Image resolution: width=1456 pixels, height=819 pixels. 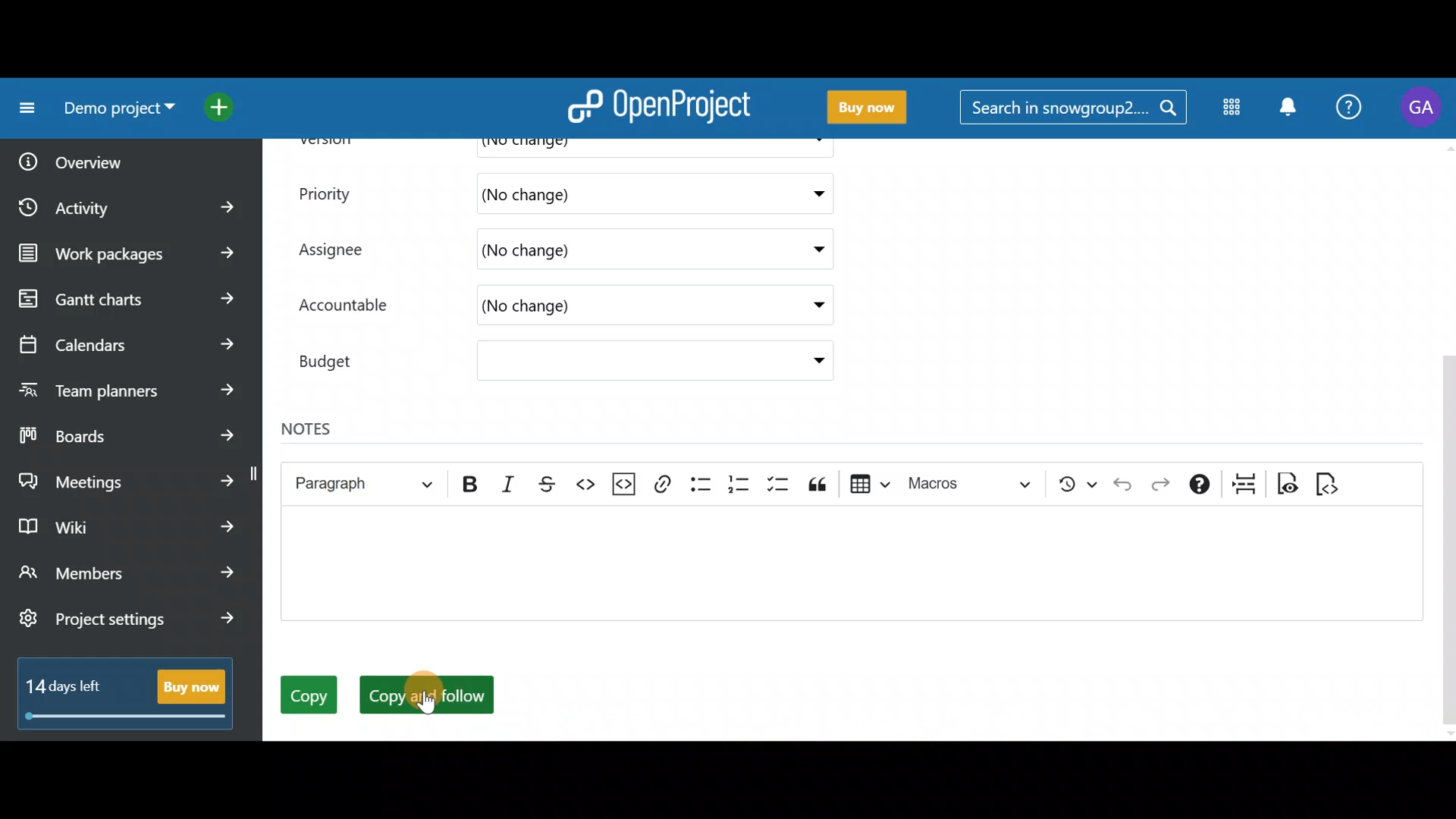 I want to click on Activity, so click(x=131, y=202).